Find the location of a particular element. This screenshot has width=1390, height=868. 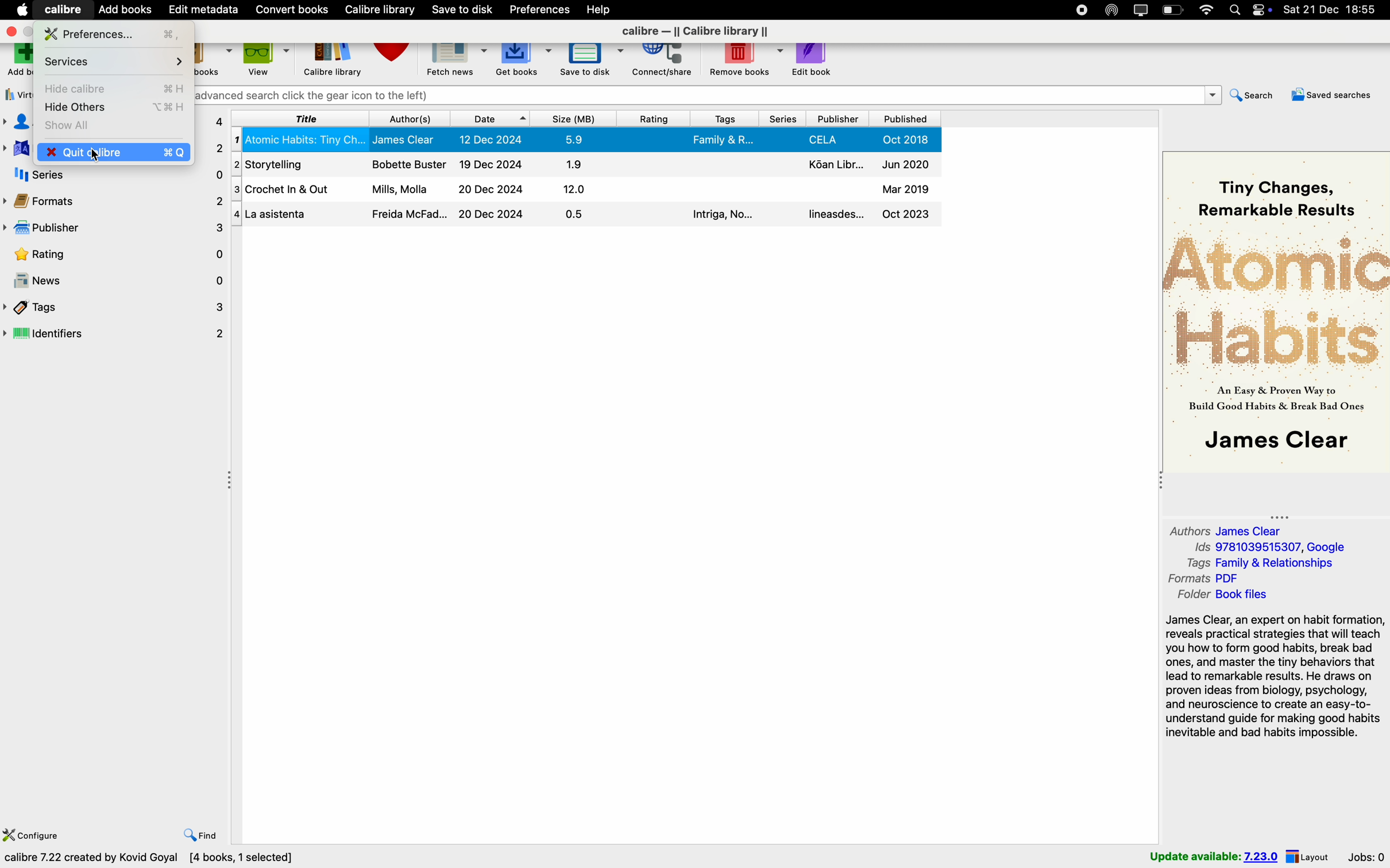

wifi is located at coordinates (1206, 10).